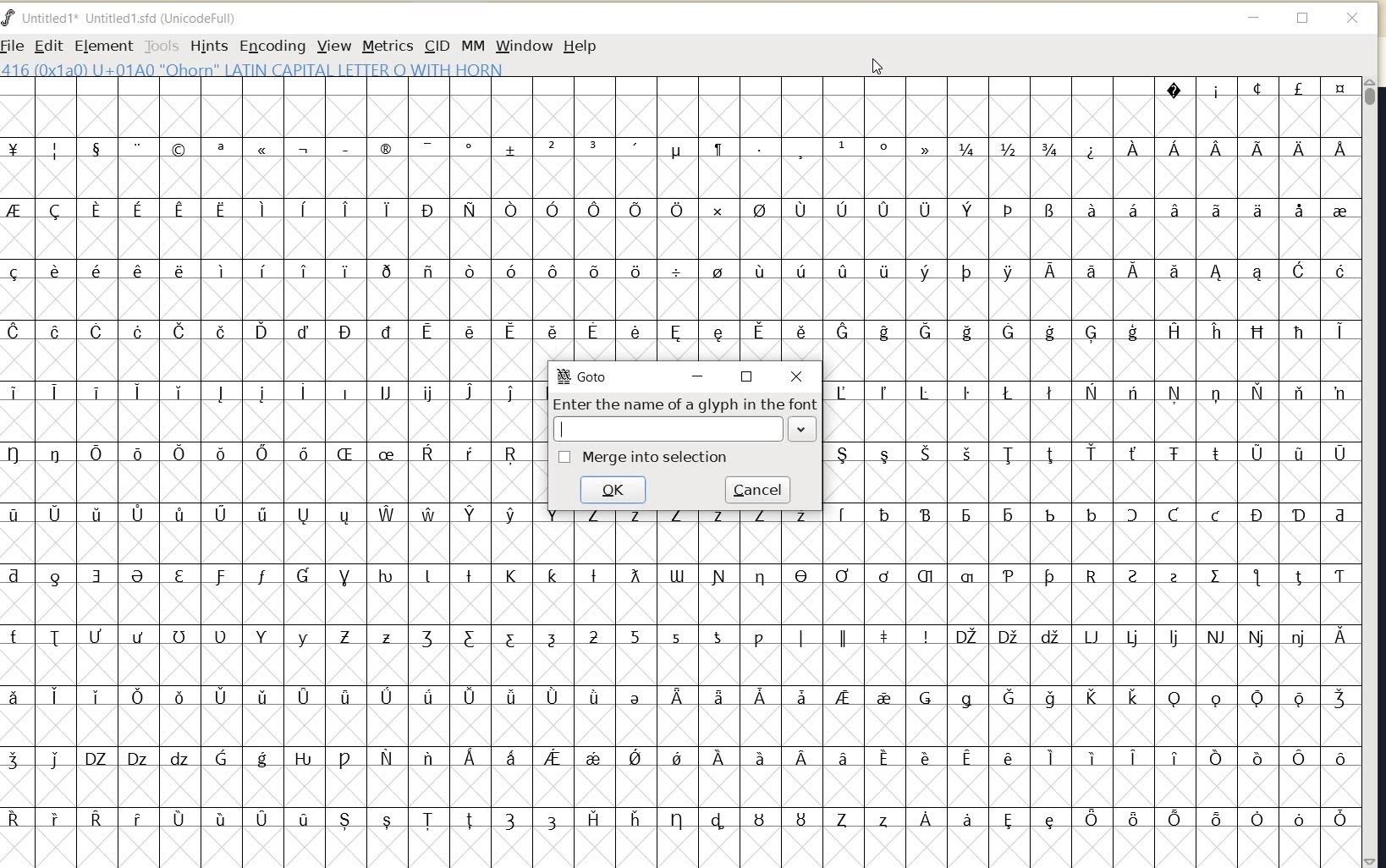 This screenshot has width=1386, height=868. I want to click on minimize, so click(698, 376).